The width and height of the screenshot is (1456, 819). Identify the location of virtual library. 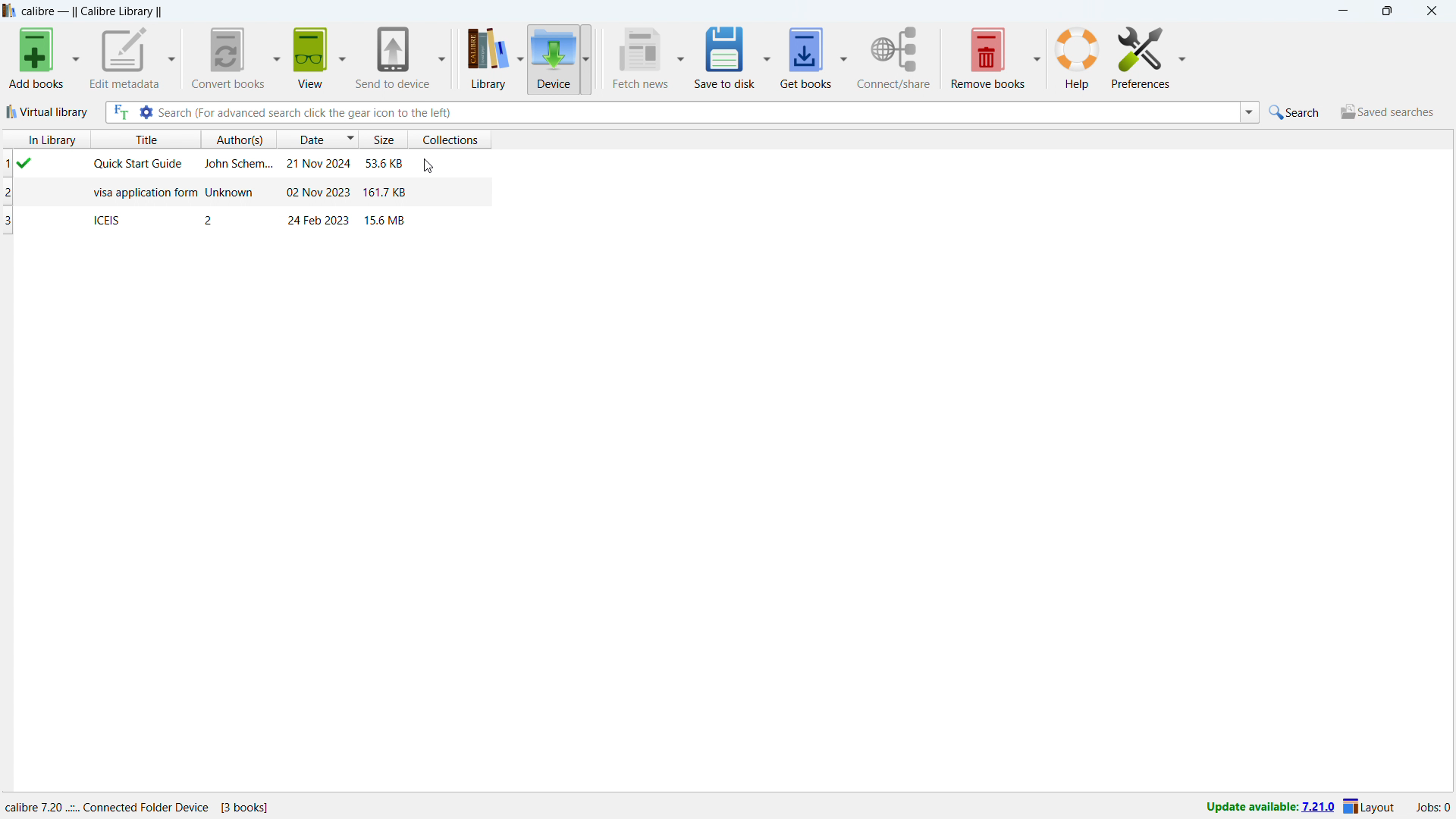
(48, 111).